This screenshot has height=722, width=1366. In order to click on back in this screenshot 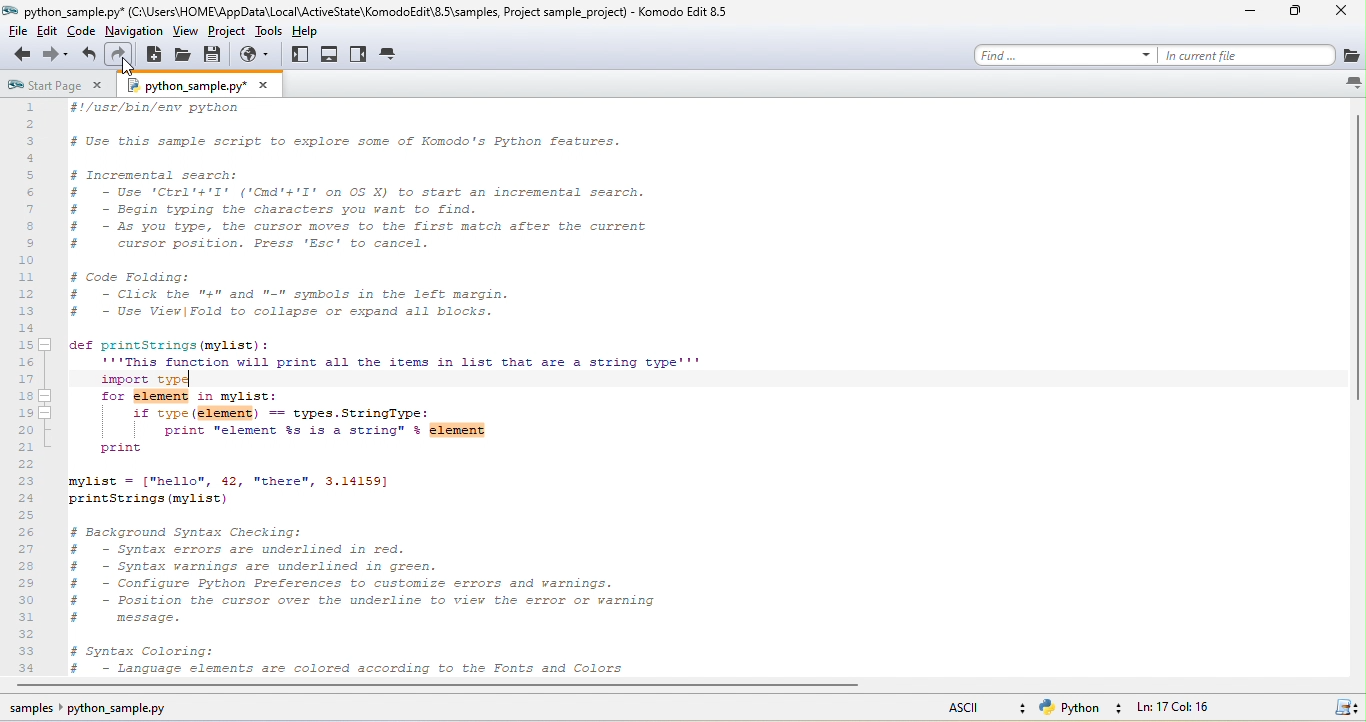, I will do `click(23, 55)`.